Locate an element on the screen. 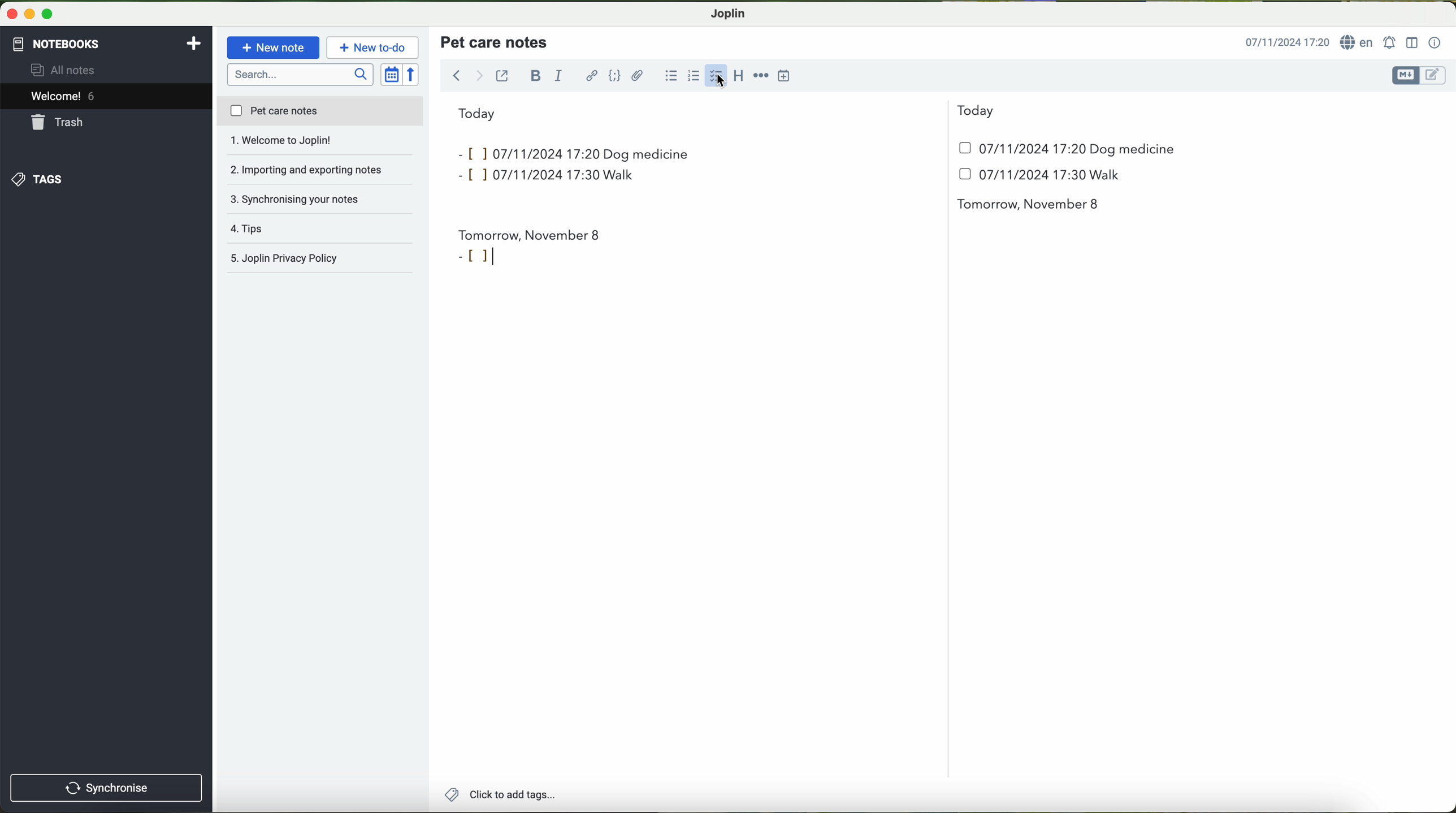  cursor on new to-do button  is located at coordinates (374, 48).